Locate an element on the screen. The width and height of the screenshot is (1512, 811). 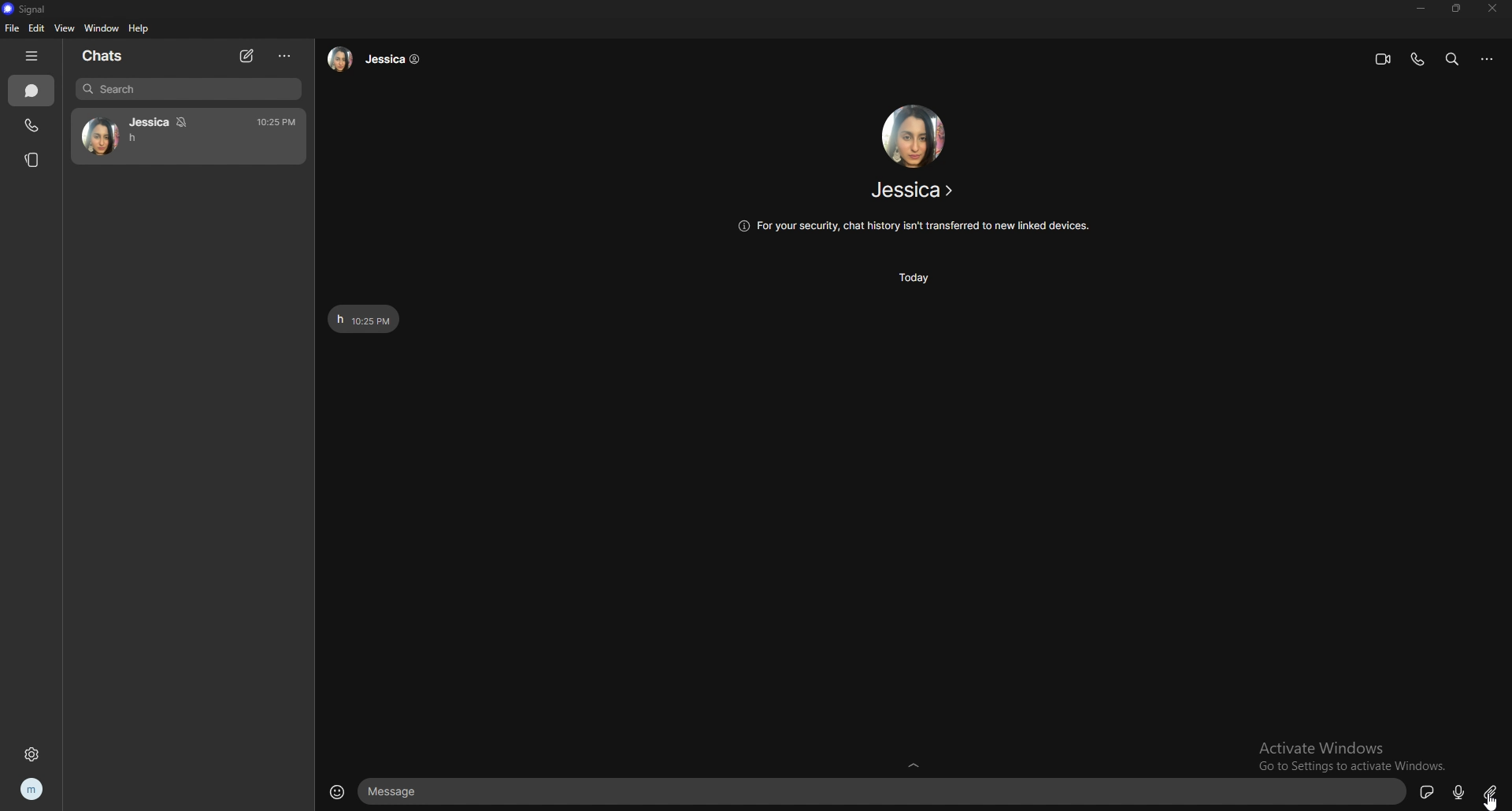
chats is located at coordinates (102, 55).